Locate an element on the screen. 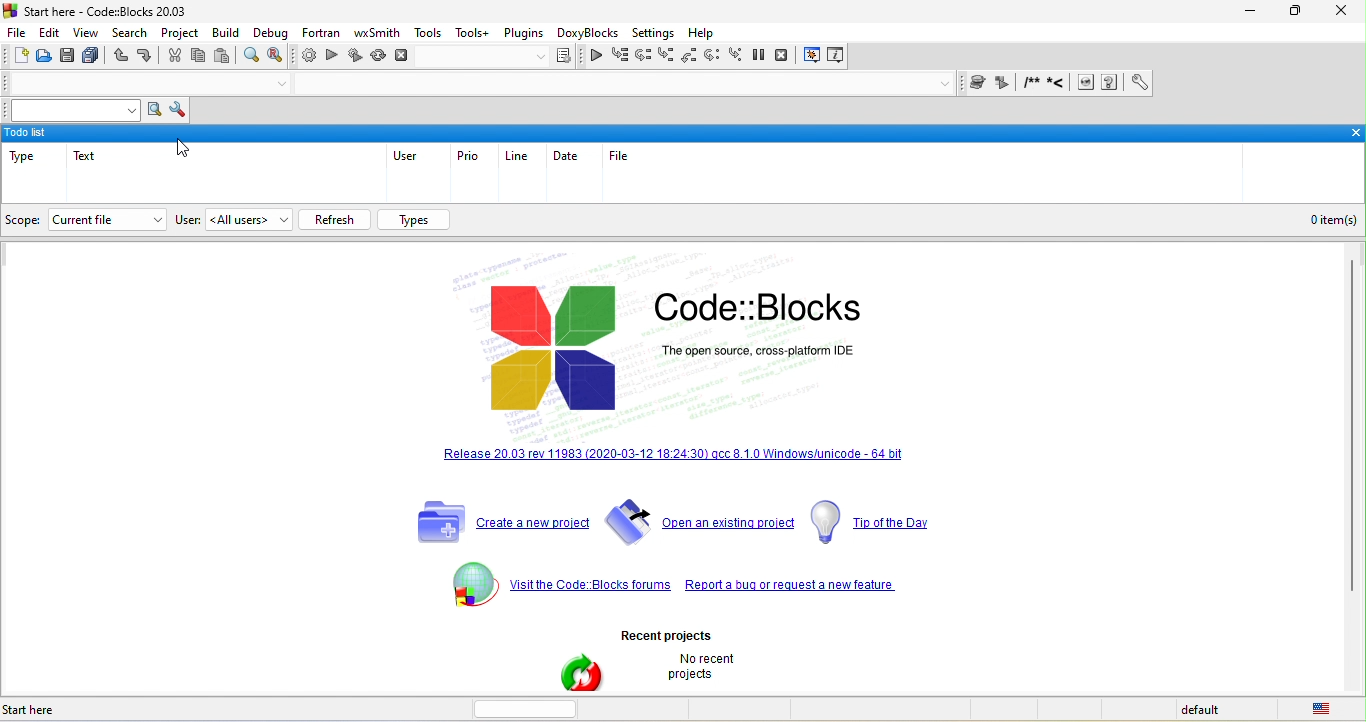  line is located at coordinates (522, 156).